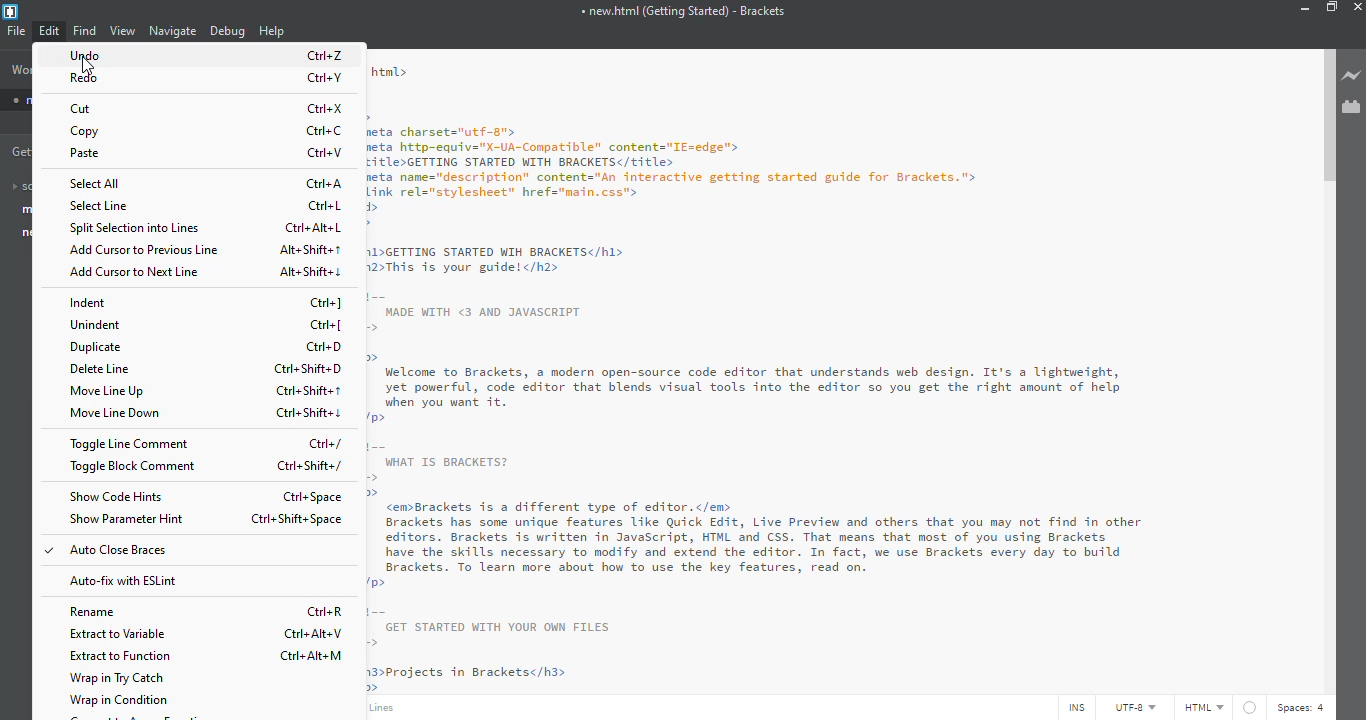  Describe the element at coordinates (326, 347) in the screenshot. I see `ctrl+d` at that location.